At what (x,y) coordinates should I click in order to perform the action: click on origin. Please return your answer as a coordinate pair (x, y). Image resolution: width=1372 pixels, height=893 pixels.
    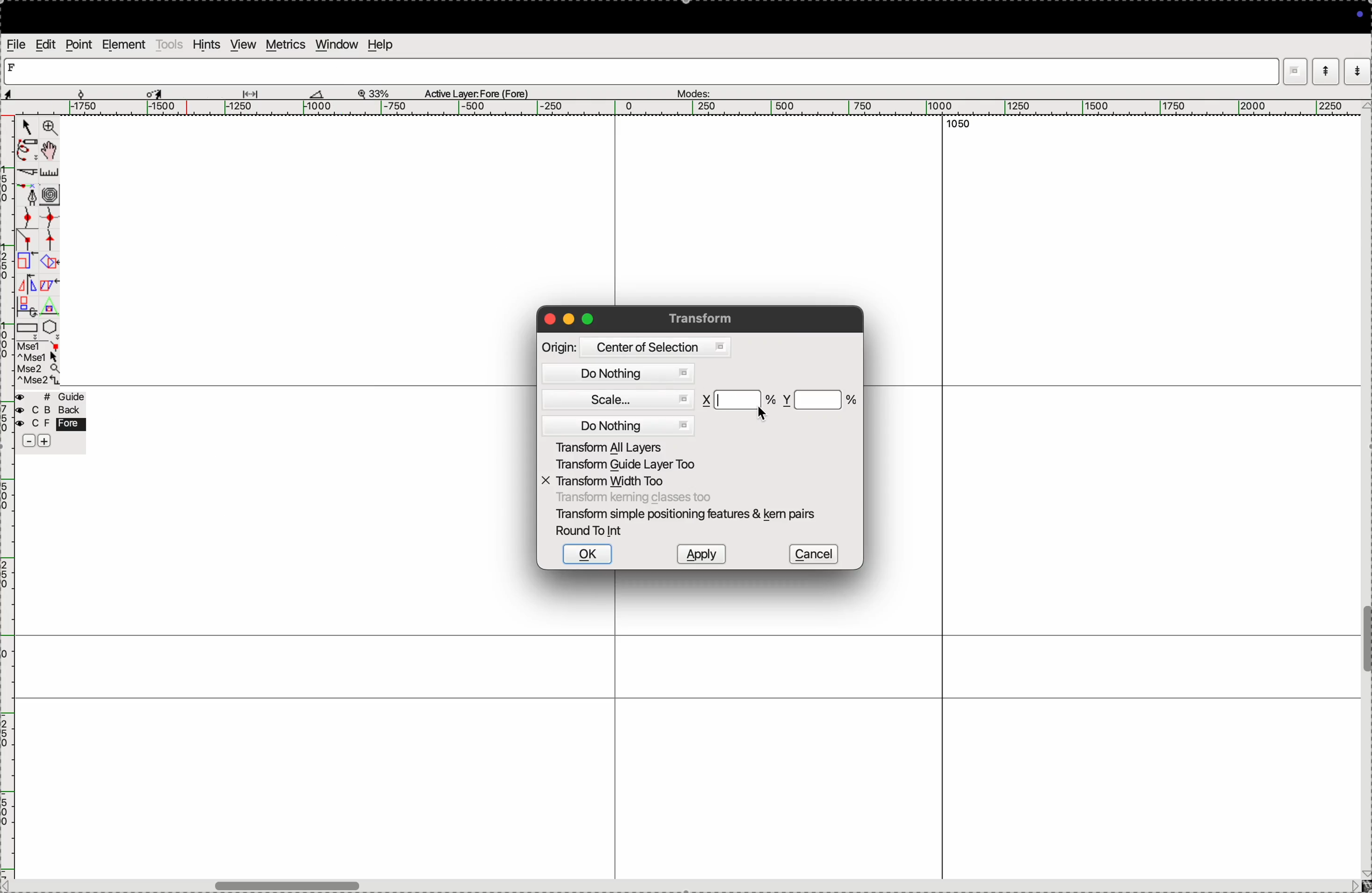
    Looking at the image, I should click on (559, 347).